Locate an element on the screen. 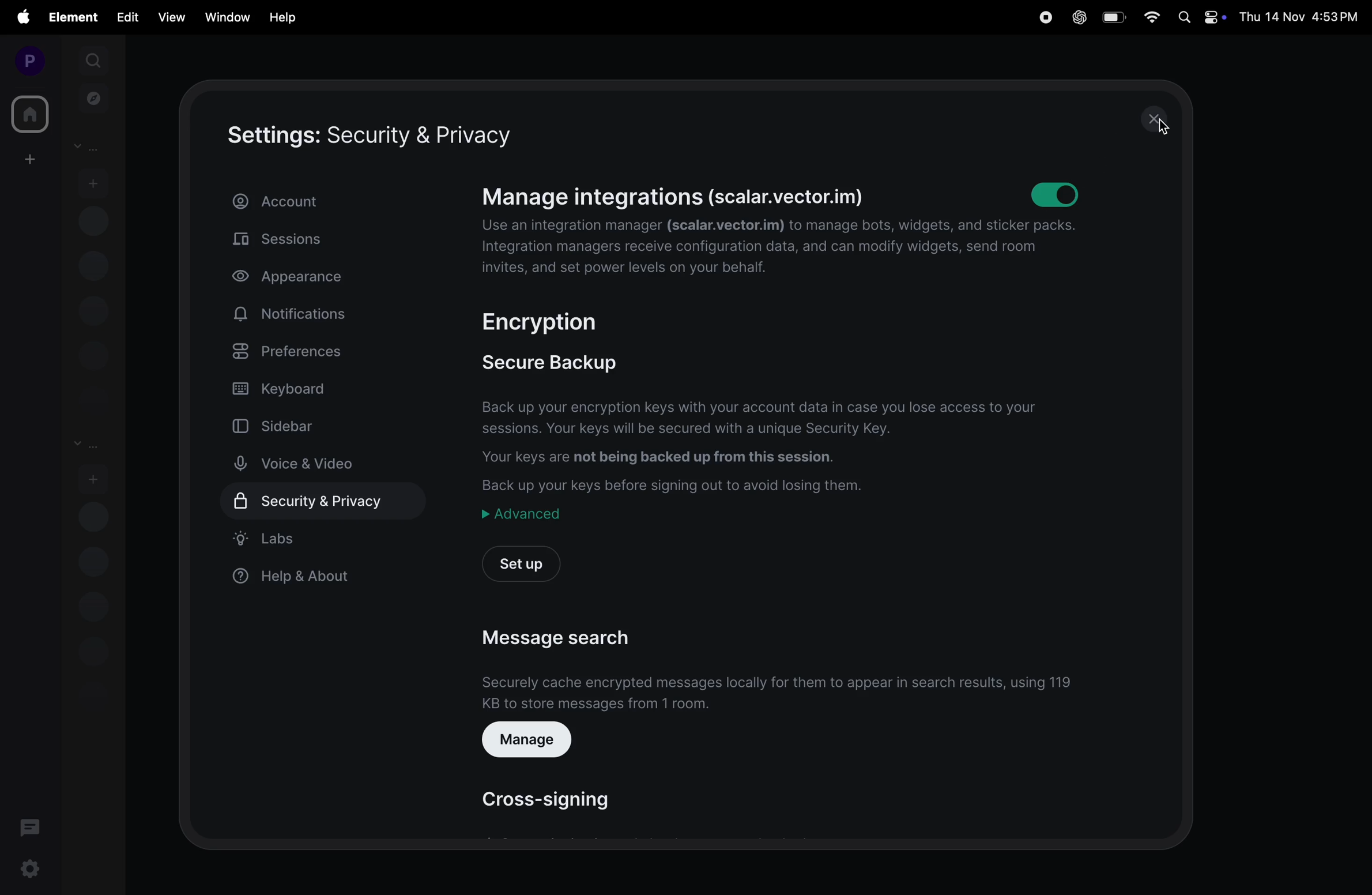 This screenshot has width=1372, height=895. battery is located at coordinates (1114, 18).